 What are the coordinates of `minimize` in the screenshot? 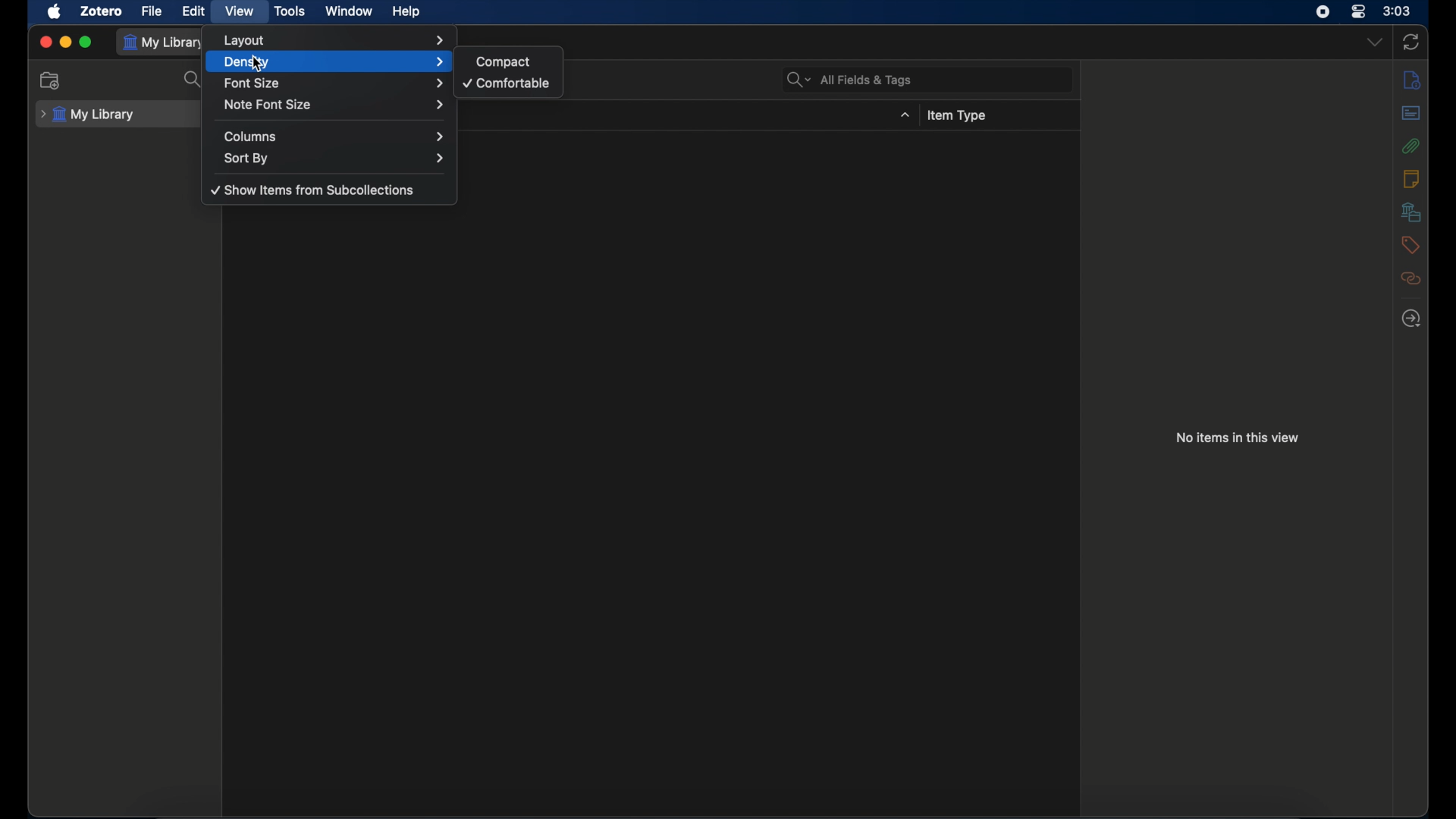 It's located at (67, 42).